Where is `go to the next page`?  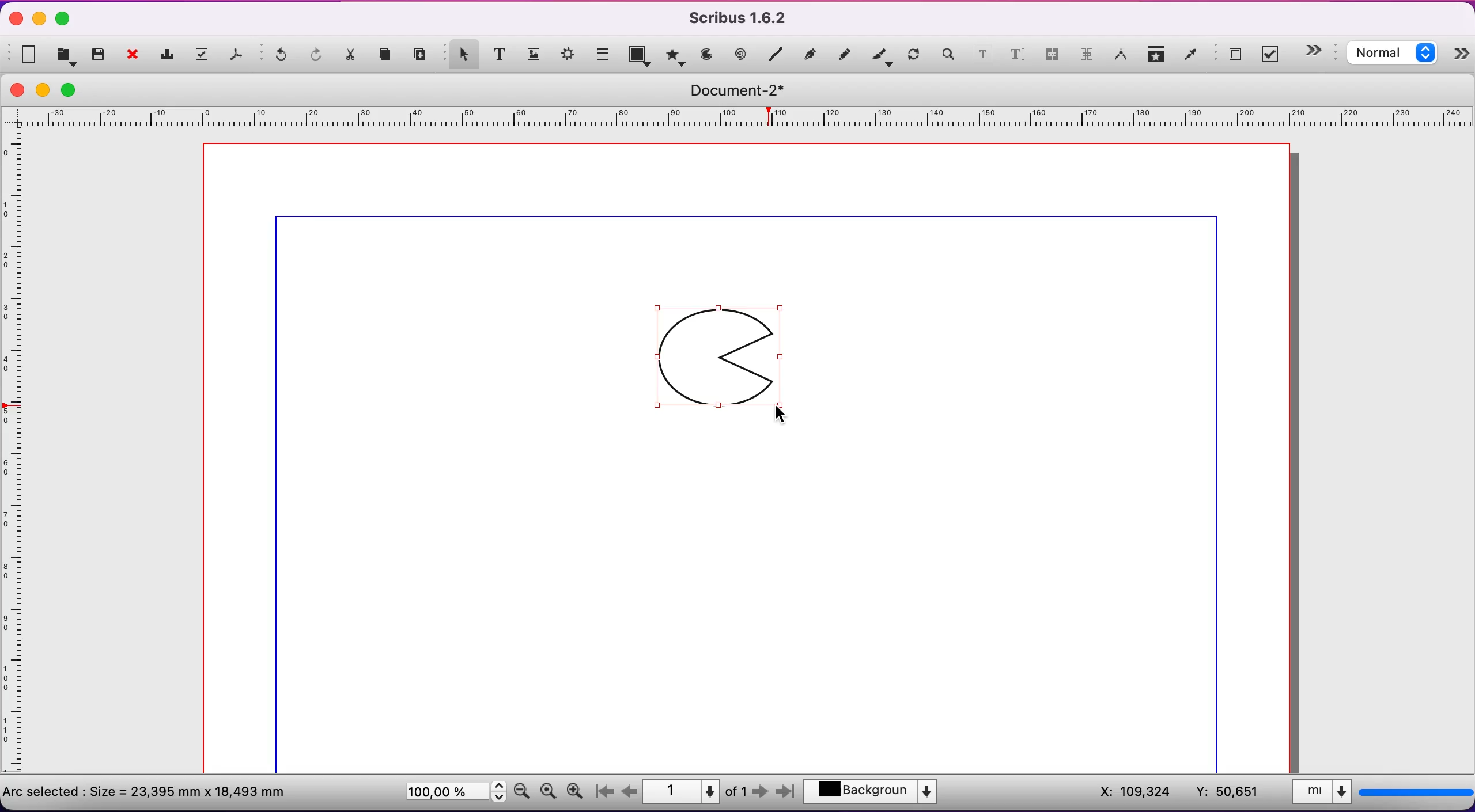
go to the next page is located at coordinates (762, 794).